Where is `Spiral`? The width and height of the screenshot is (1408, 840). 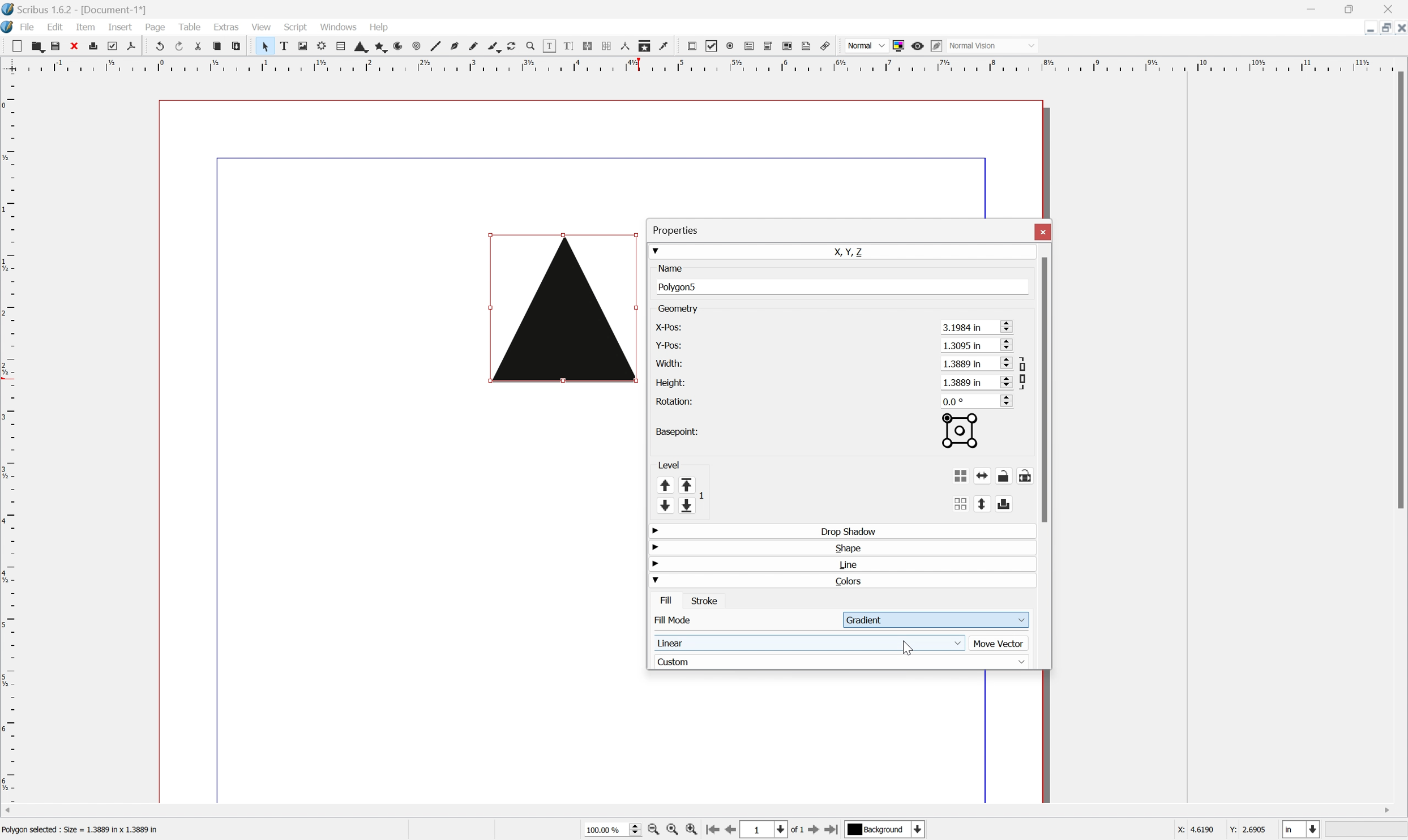
Spiral is located at coordinates (414, 46).